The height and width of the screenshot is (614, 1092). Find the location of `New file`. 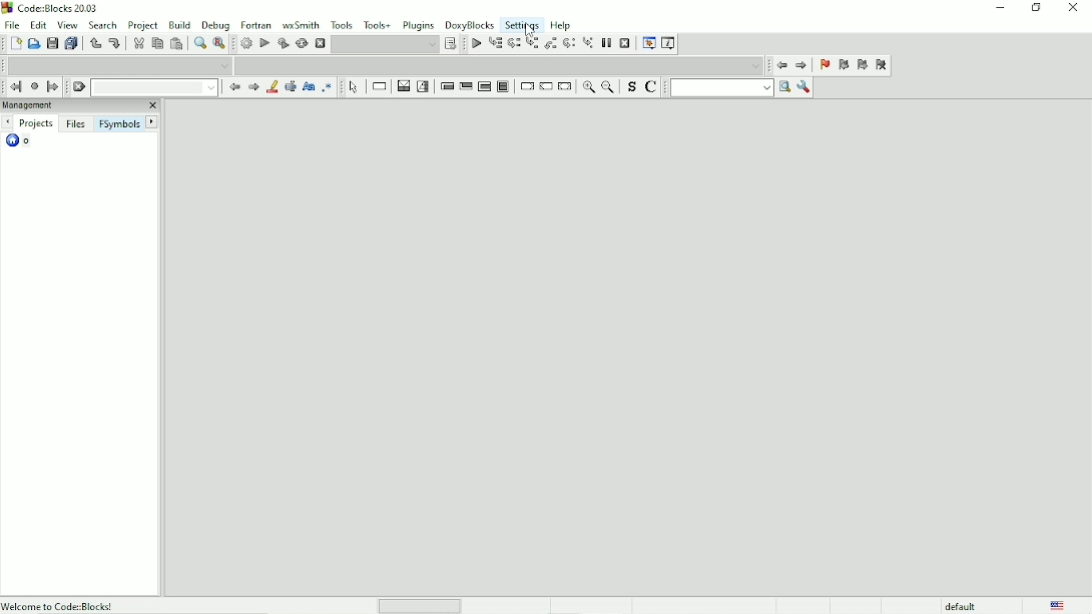

New file is located at coordinates (14, 43).